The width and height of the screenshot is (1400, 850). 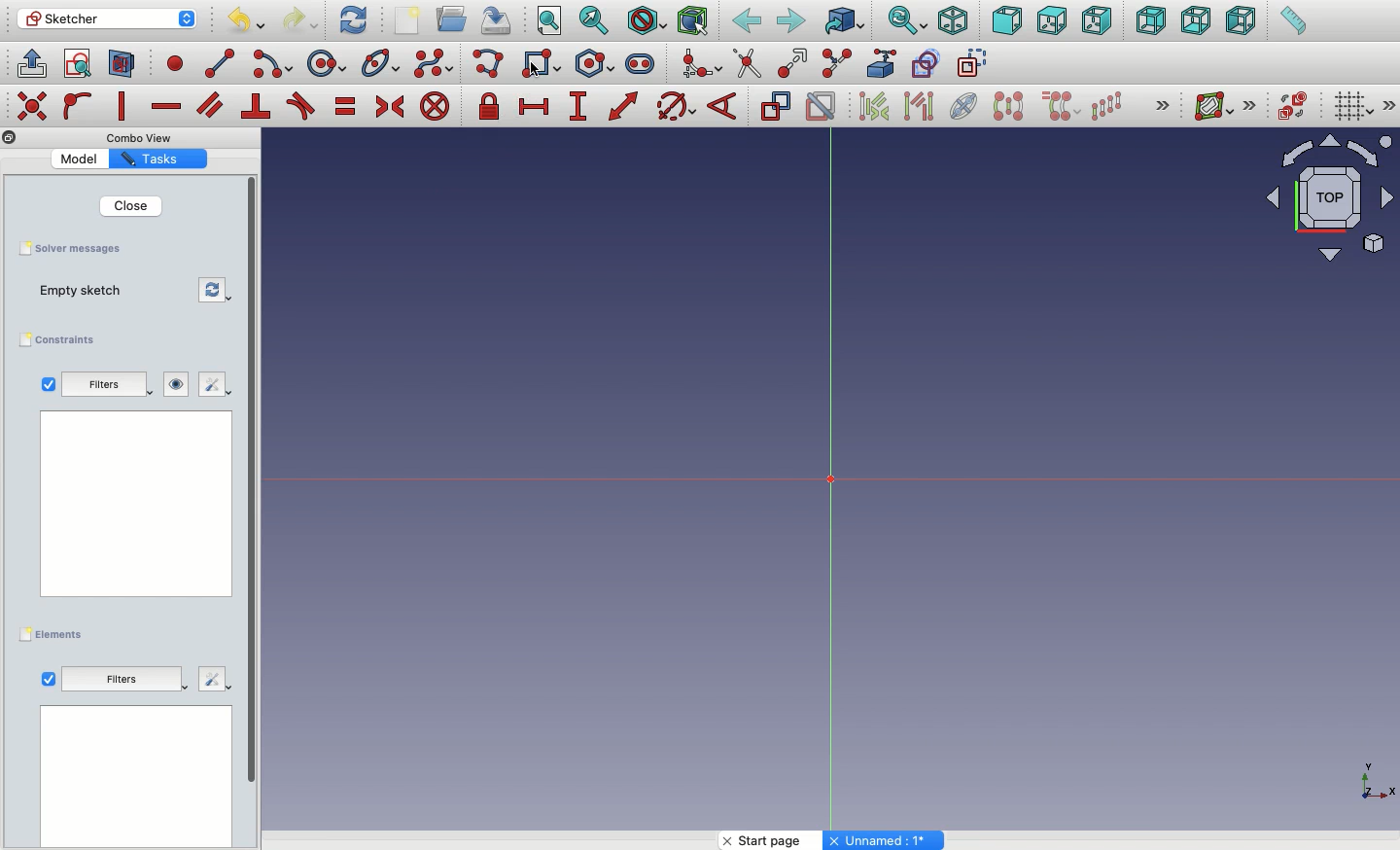 I want to click on view sketch, so click(x=81, y=65).